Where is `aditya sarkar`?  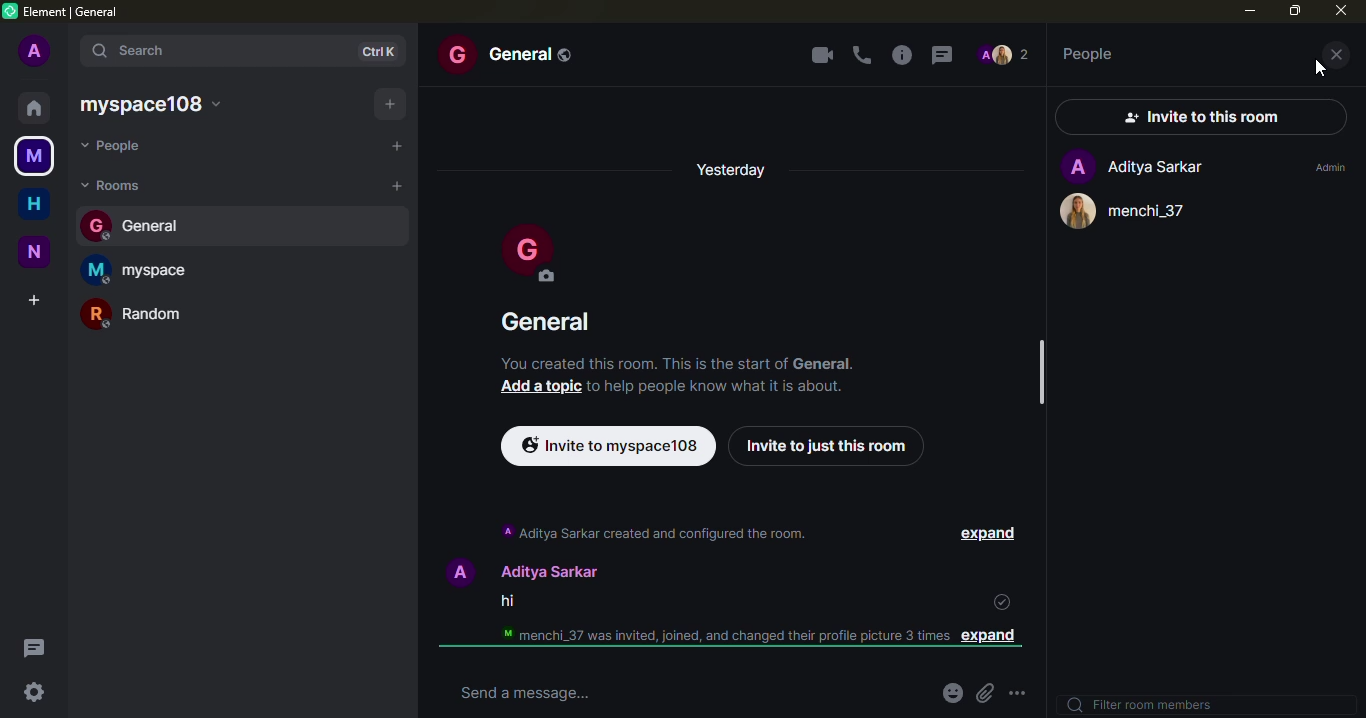 aditya sarkar is located at coordinates (516, 570).